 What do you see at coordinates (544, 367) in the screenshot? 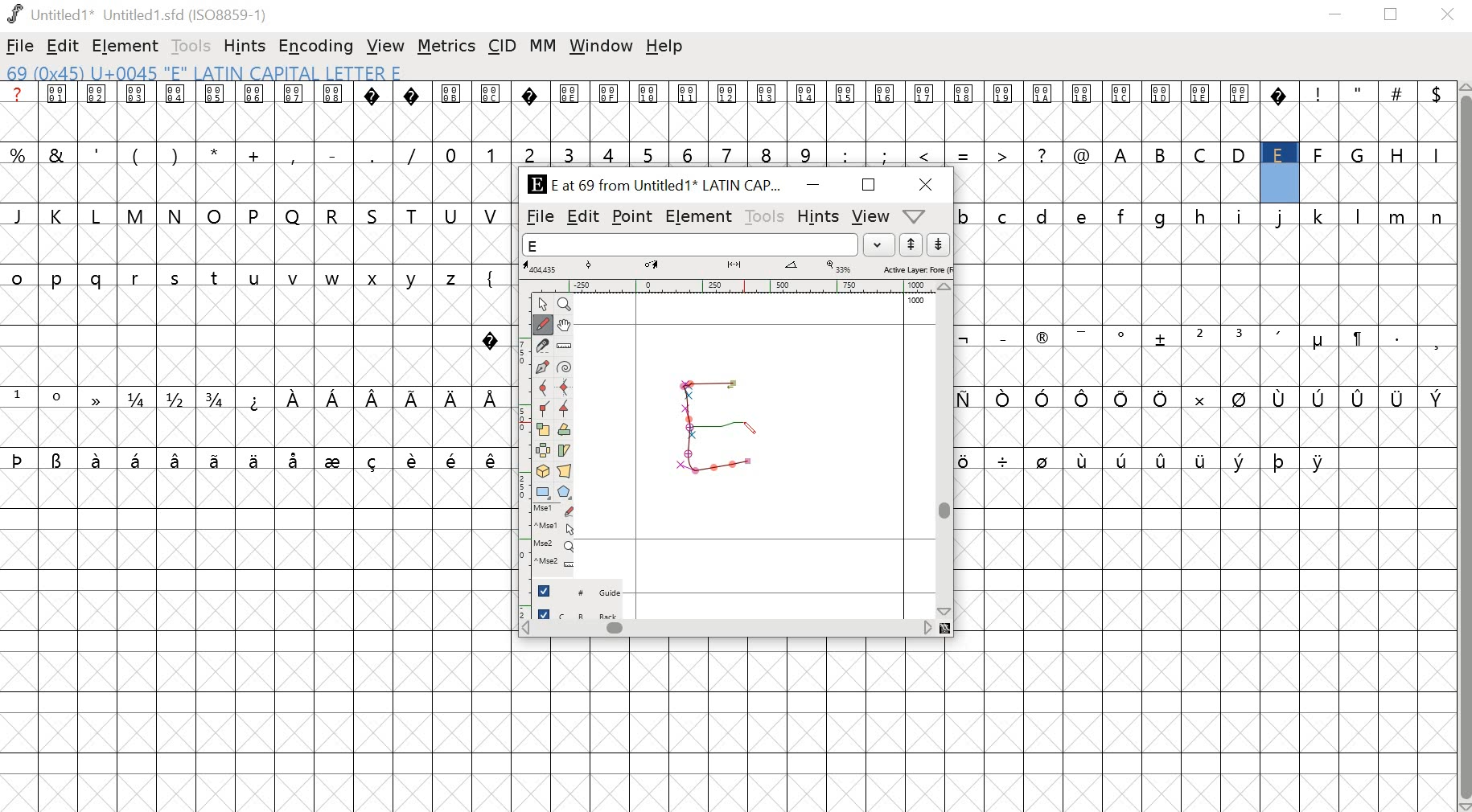
I see `Pen` at bounding box center [544, 367].